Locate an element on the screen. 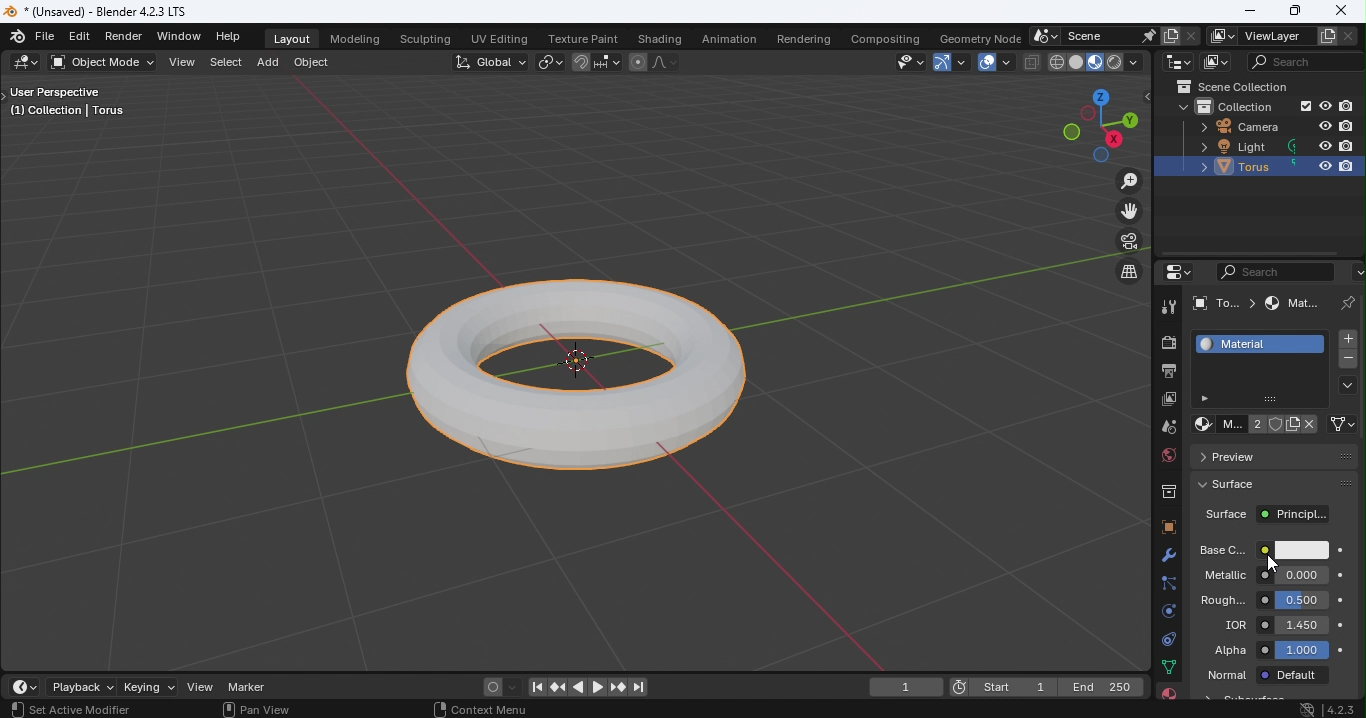 This screenshot has height=718, width=1366. Modeling is located at coordinates (356, 39).